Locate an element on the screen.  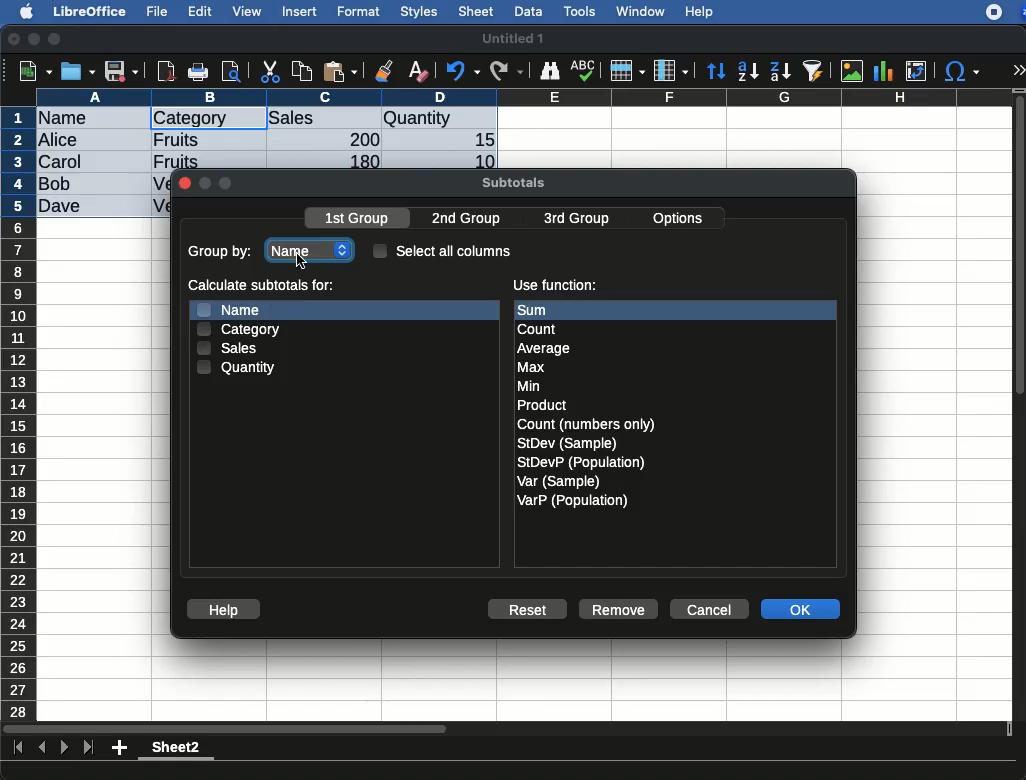
quantity is located at coordinates (439, 120).